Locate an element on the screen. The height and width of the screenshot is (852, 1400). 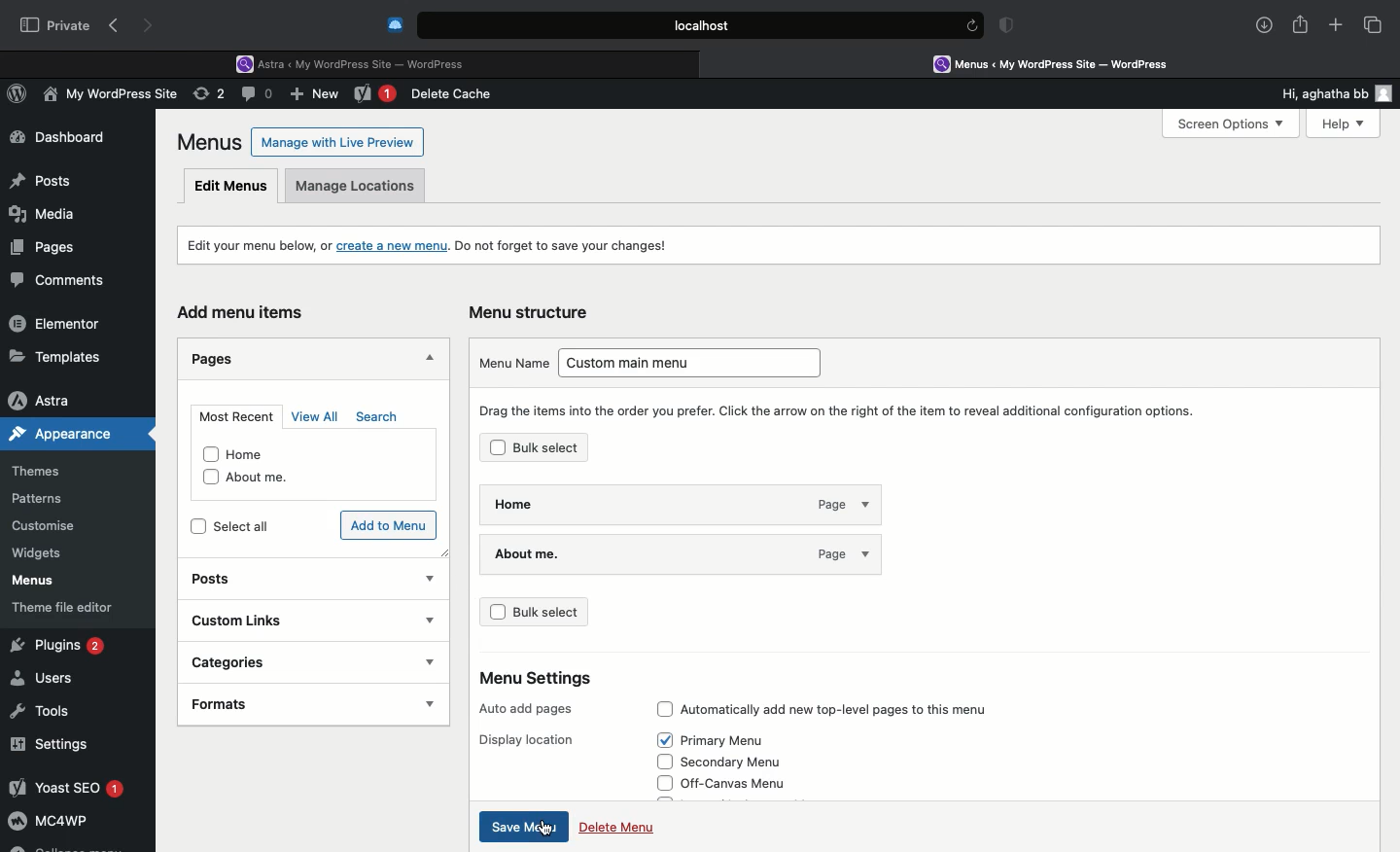
My WordPress Site is located at coordinates (107, 97).